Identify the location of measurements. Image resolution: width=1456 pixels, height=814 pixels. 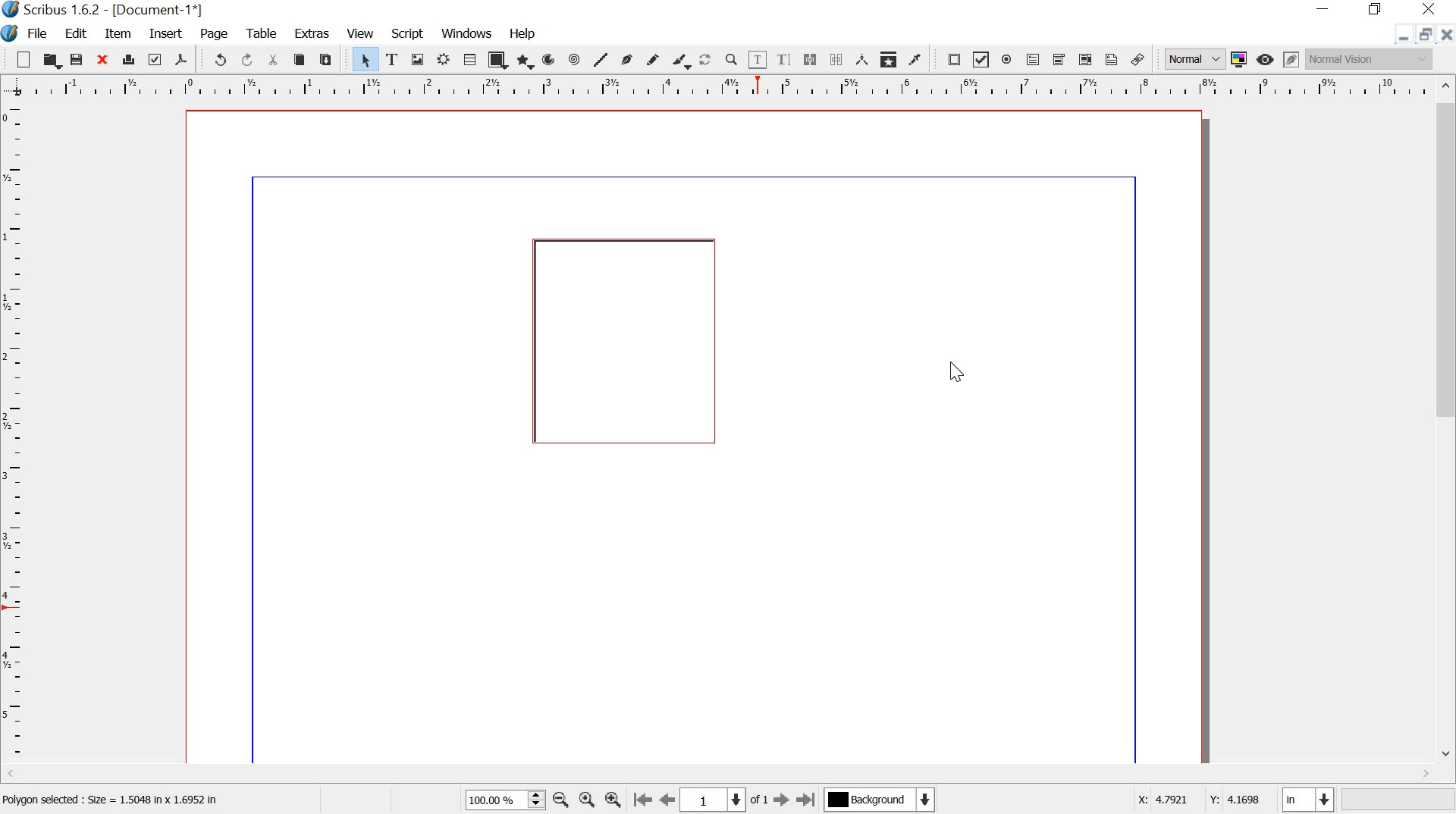
(863, 61).